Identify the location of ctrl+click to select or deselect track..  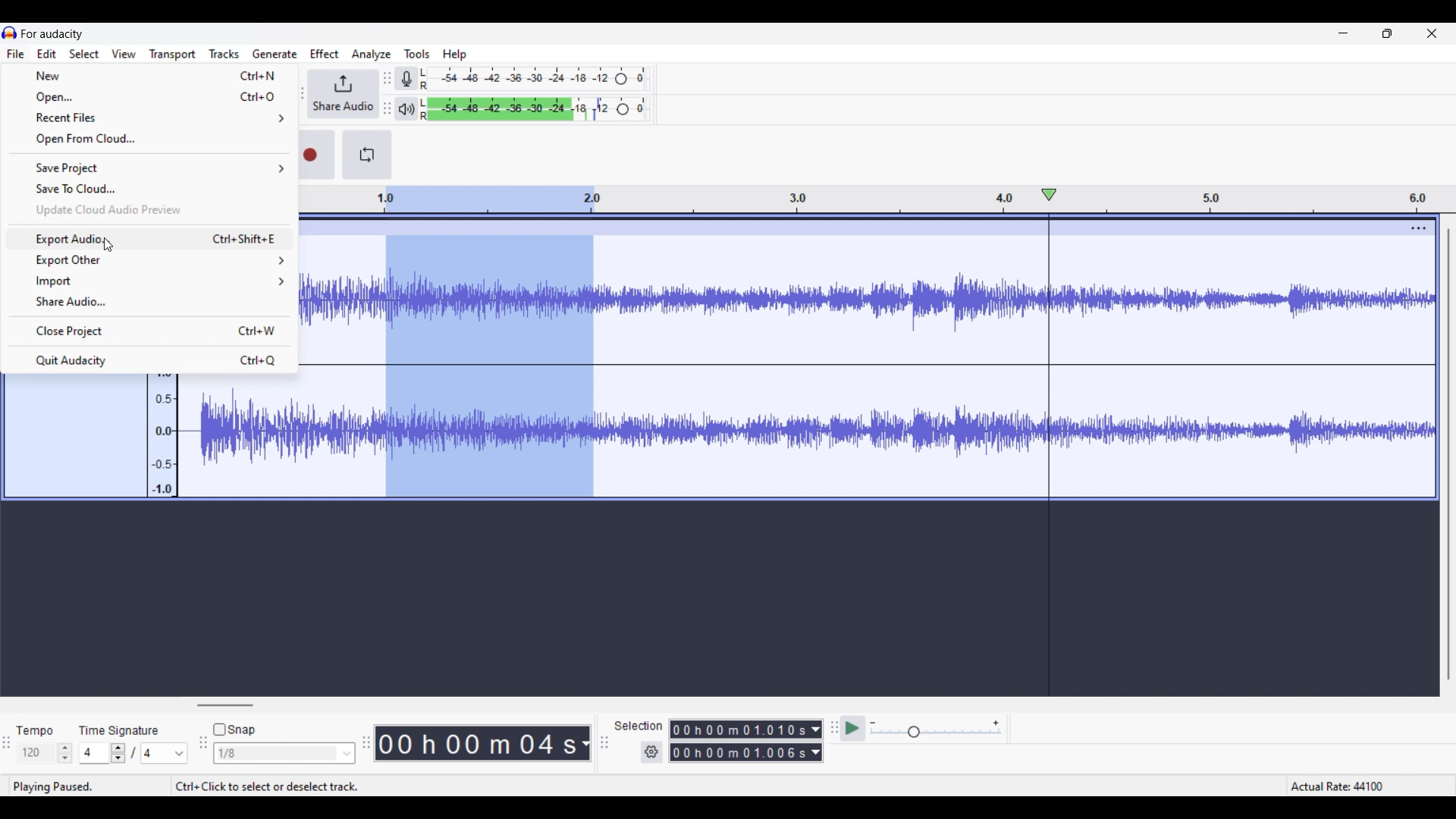
(315, 785).